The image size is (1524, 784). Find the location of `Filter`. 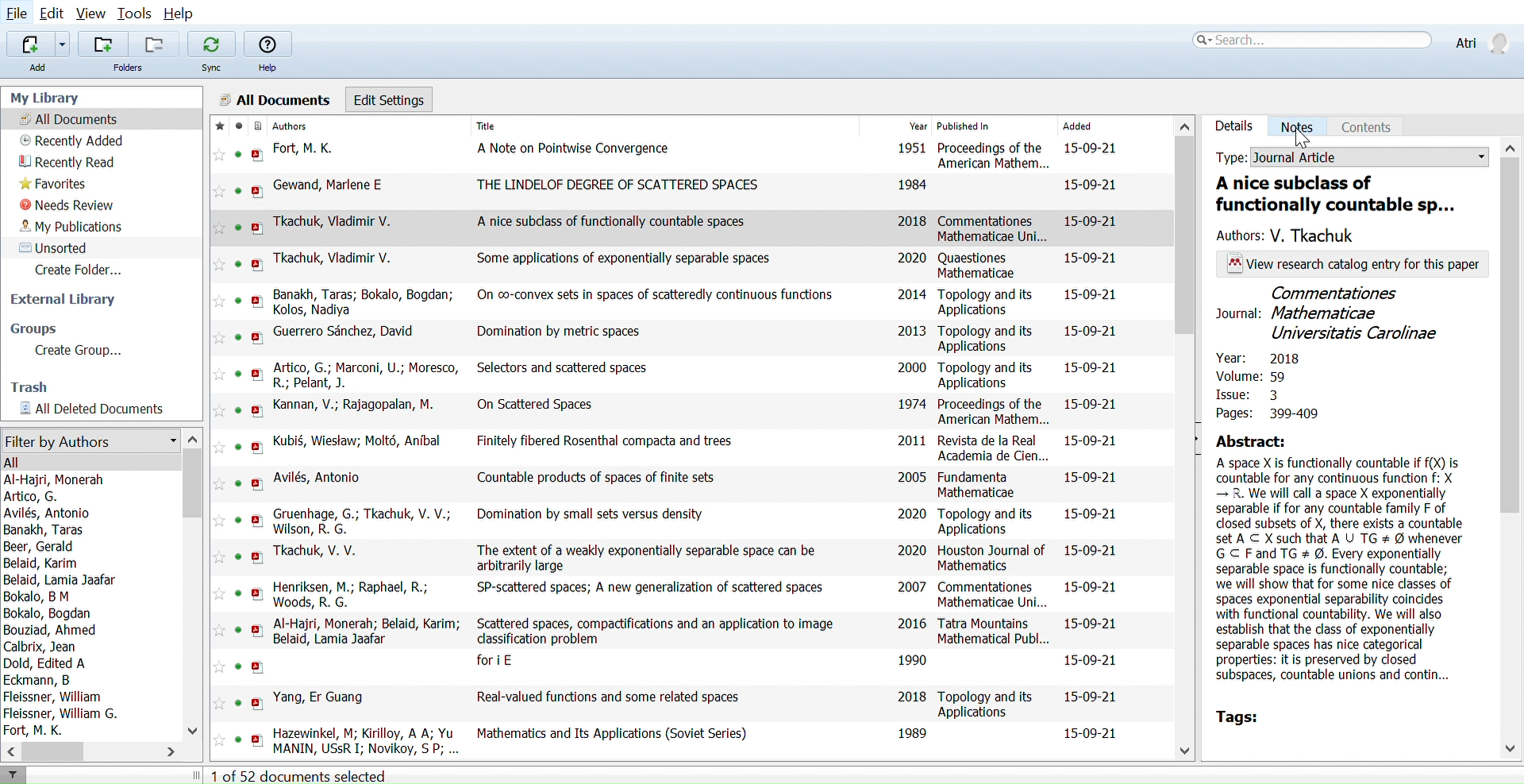

Filter is located at coordinates (14, 775).